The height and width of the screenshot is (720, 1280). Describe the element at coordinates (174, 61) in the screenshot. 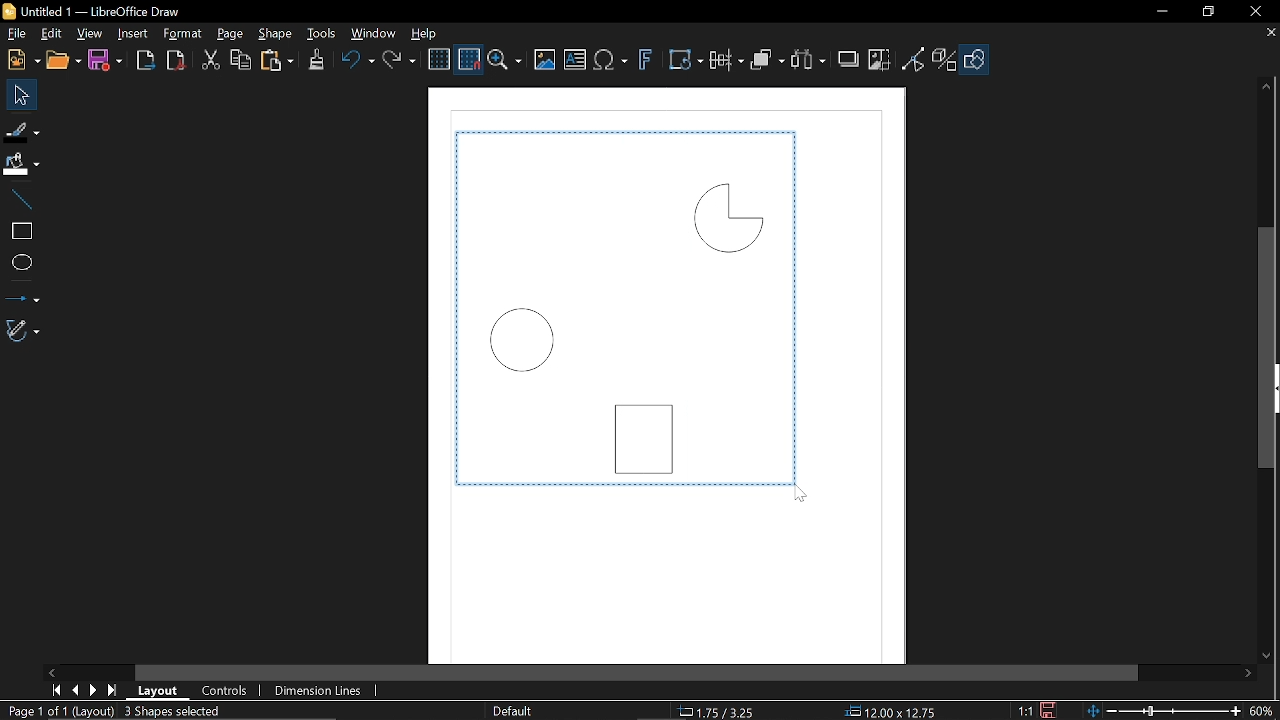

I see `Export pdf` at that location.